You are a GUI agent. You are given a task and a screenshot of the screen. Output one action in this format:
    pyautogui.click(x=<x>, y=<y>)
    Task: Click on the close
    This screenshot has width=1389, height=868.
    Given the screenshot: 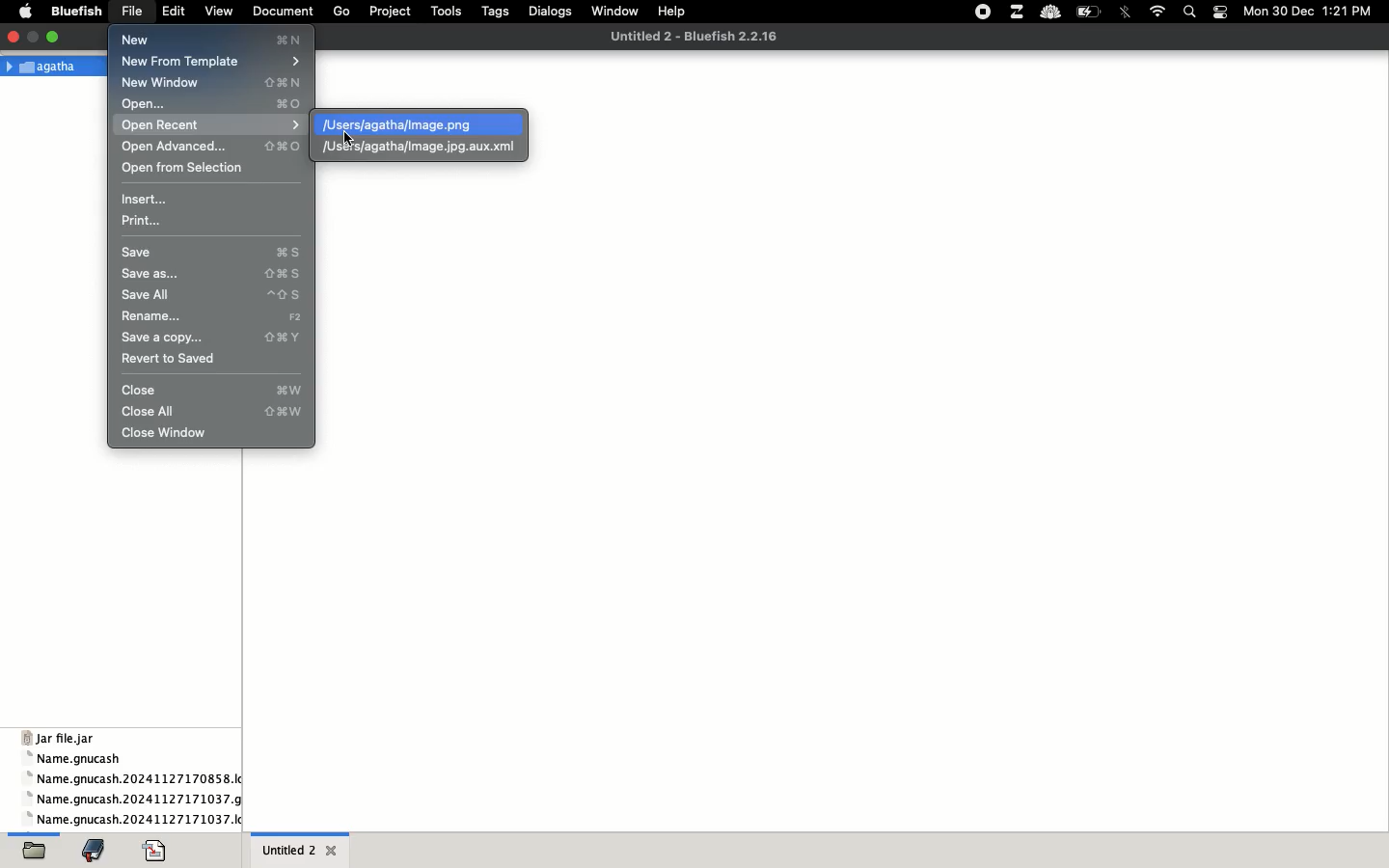 What is the action you would take?
    pyautogui.click(x=212, y=391)
    